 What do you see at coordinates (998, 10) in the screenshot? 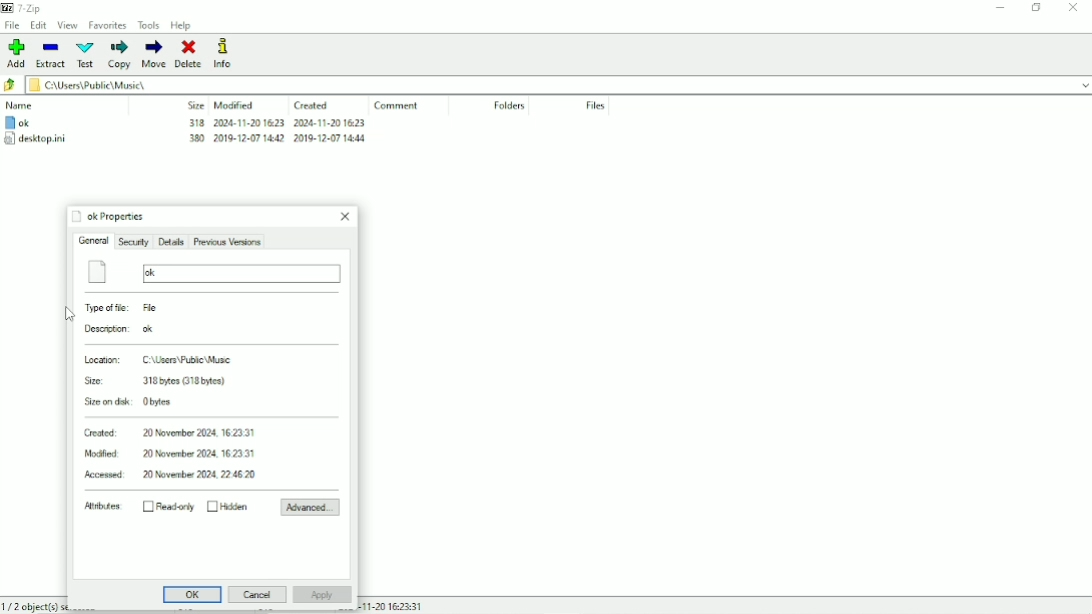
I see `Minimize` at bounding box center [998, 10].